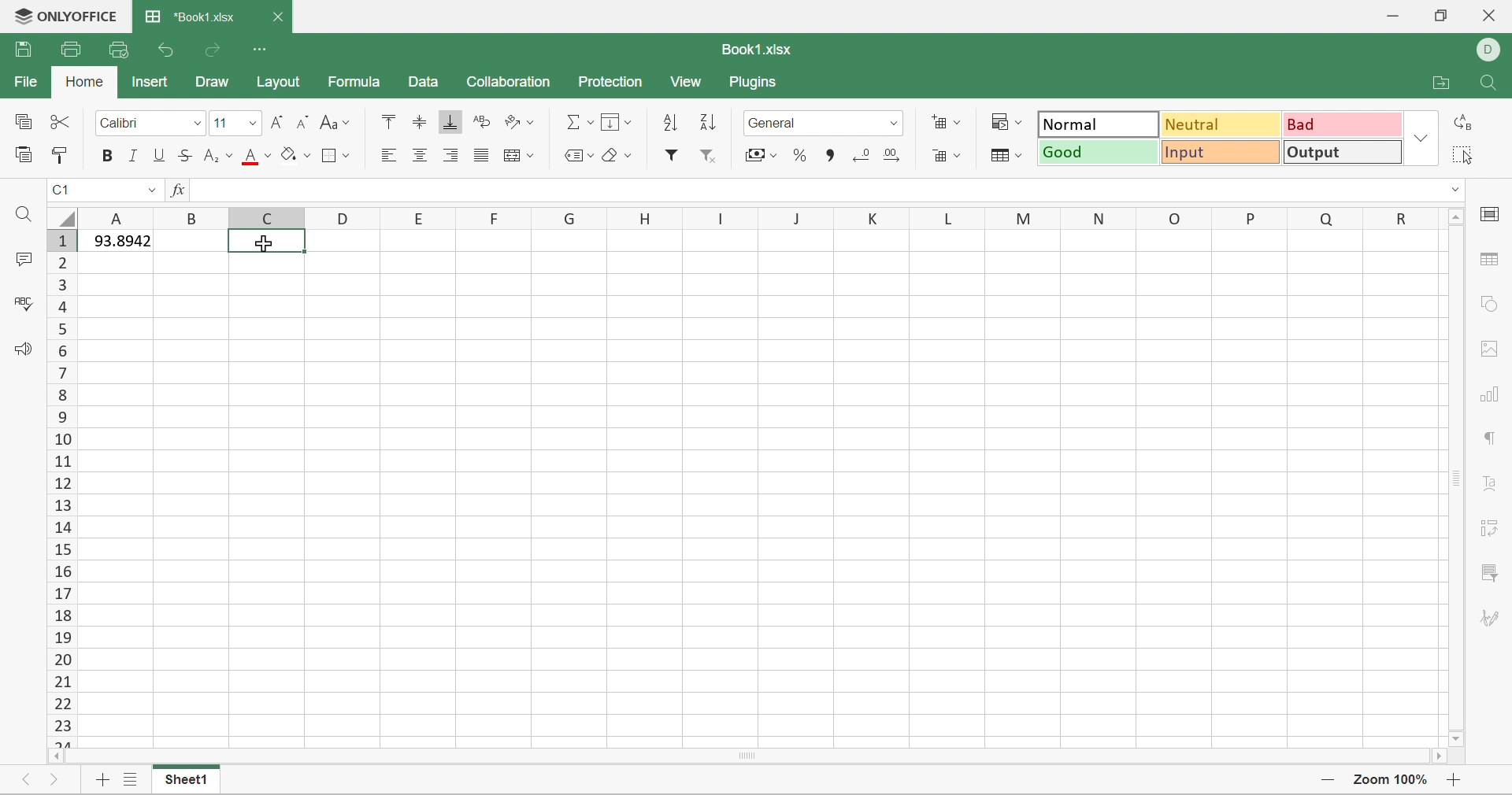 This screenshot has width=1512, height=795. Describe the element at coordinates (27, 218) in the screenshot. I see `Find` at that location.